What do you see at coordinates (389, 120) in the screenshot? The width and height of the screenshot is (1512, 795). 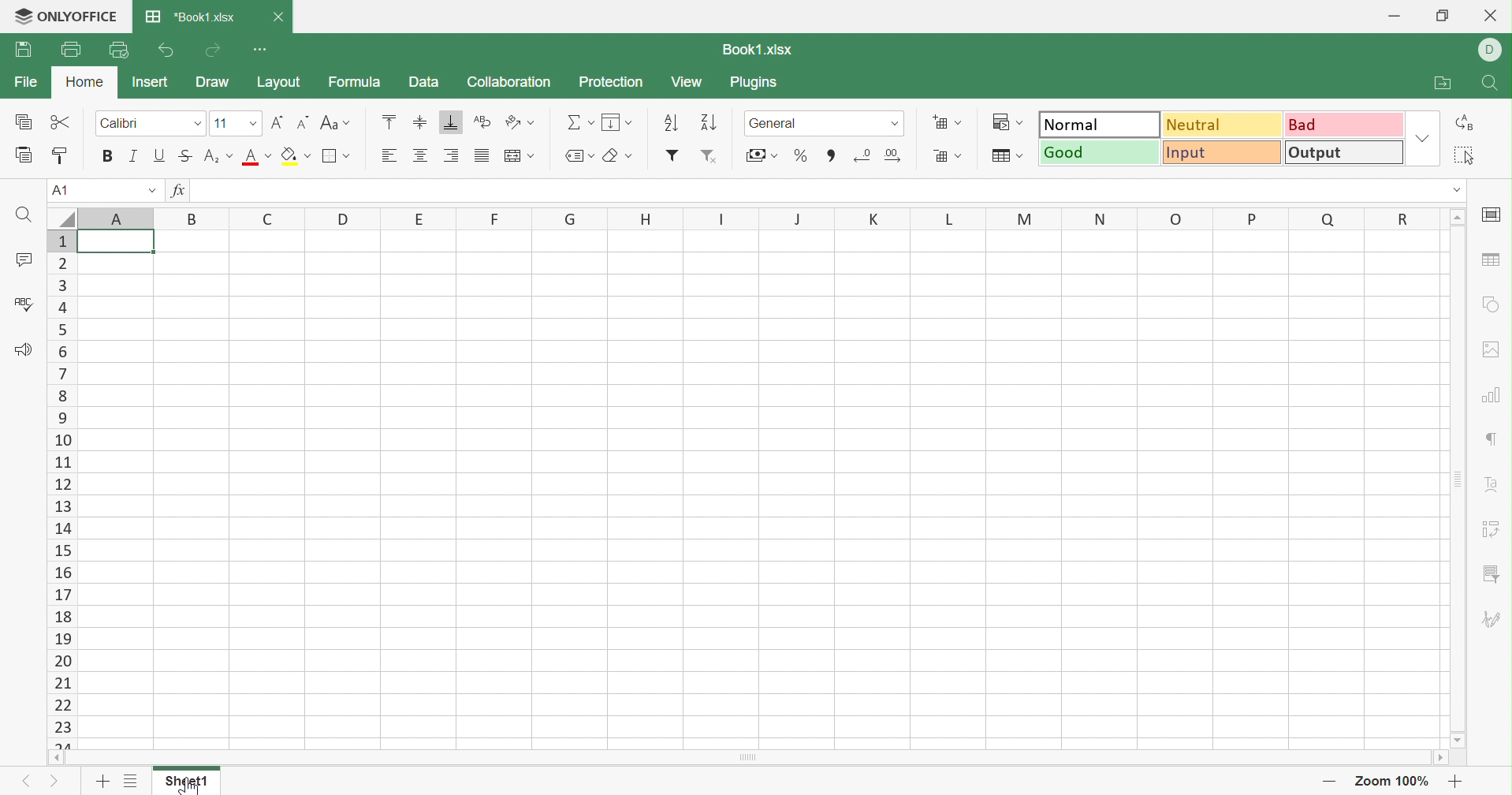 I see `Align Top` at bounding box center [389, 120].